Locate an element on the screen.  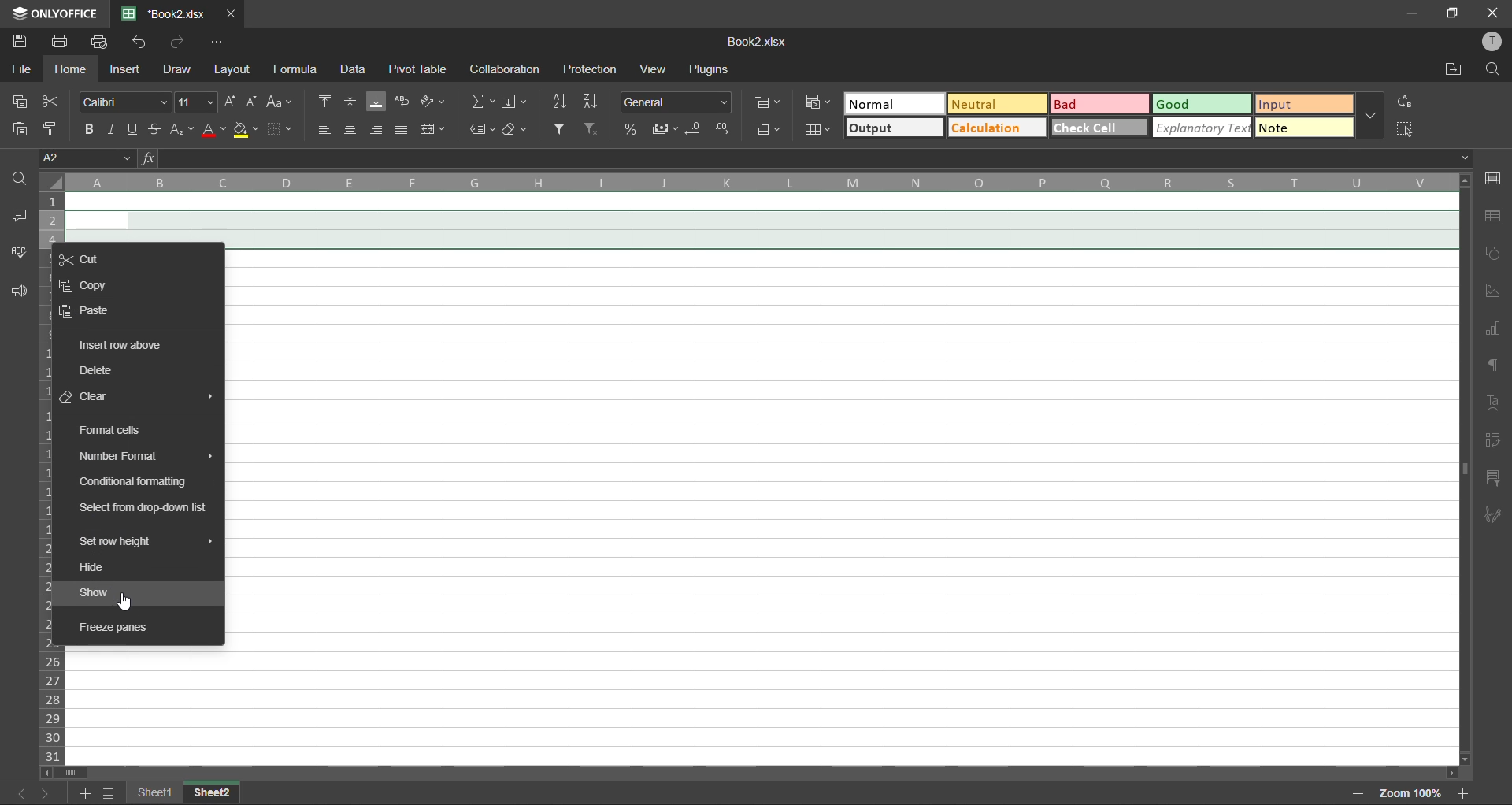
sub/superscript is located at coordinates (177, 128).